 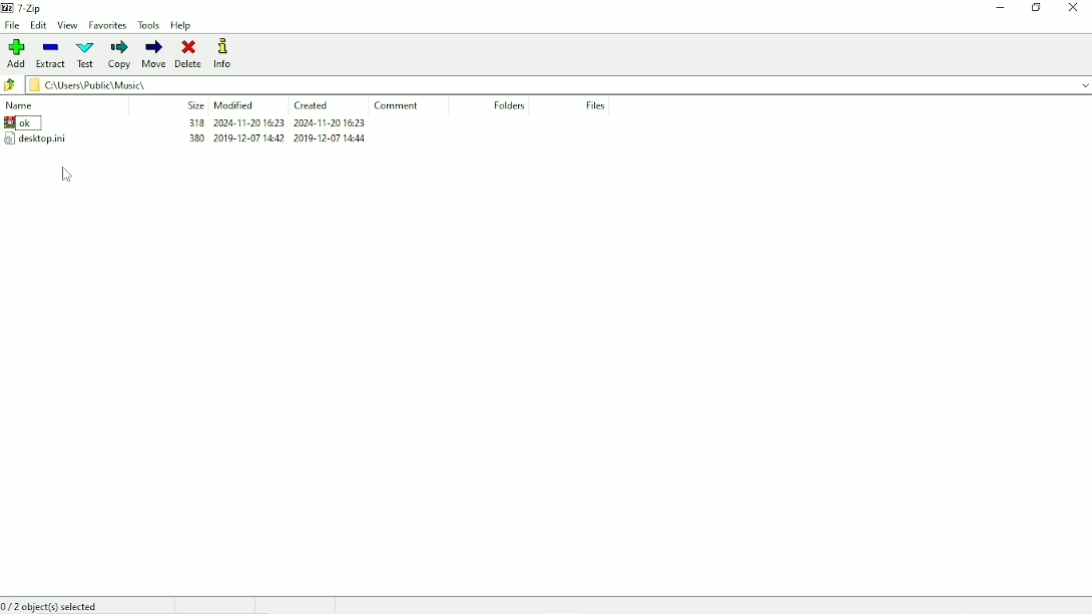 I want to click on 318 2024-11-201623 2024-11-20 1623
MW 200207140 2016-207 kd, so click(x=278, y=135).